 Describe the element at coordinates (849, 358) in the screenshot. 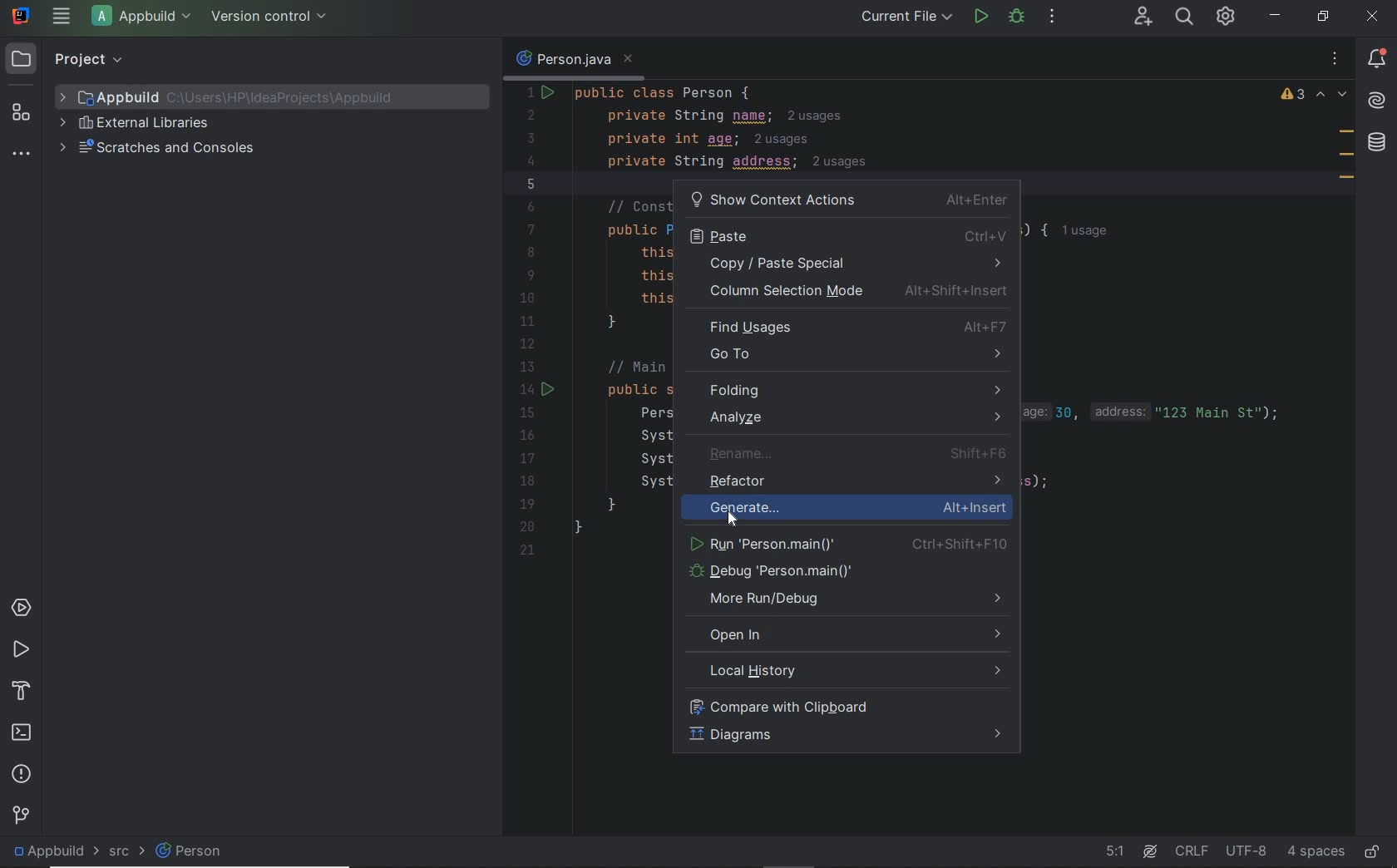

I see `go to` at that location.